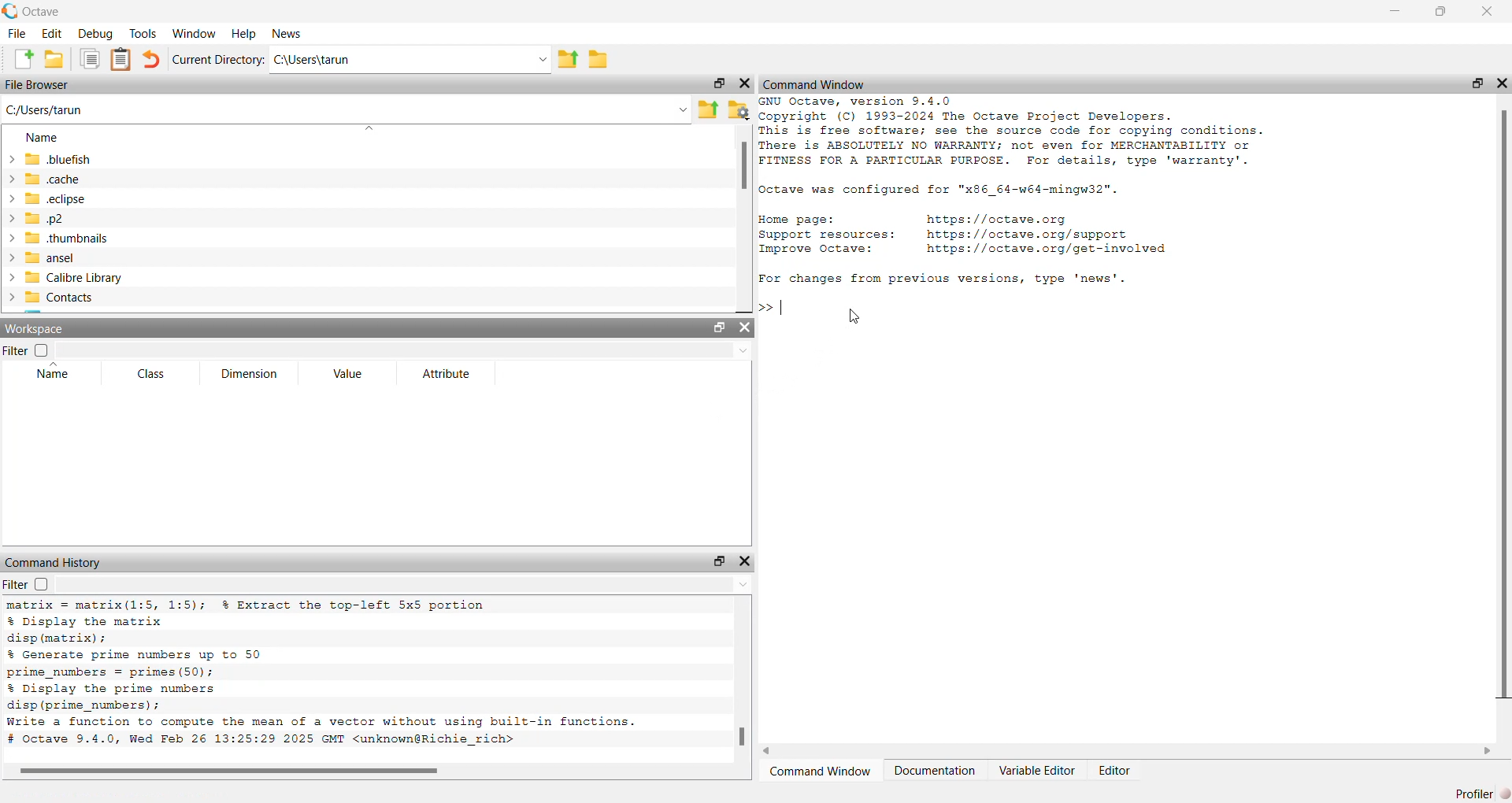 The image size is (1512, 803). I want to click on matrix = matrix(1:5, 1:5); % Extract the top-left 5x5 portion

% Display the matrix

disp (matrix) ;

% Generate prime numbers up to 50

prime_numbers = primes (50);

% Display the prime numbers

disp (prime_numbers) ;

Write a function to compute the mean of a vector without using built-in functions.
# octave 9.4.0, Wed Feb 26 13:25:29 2025 GMT <unknown@Richie_rich>, so click(320, 675).